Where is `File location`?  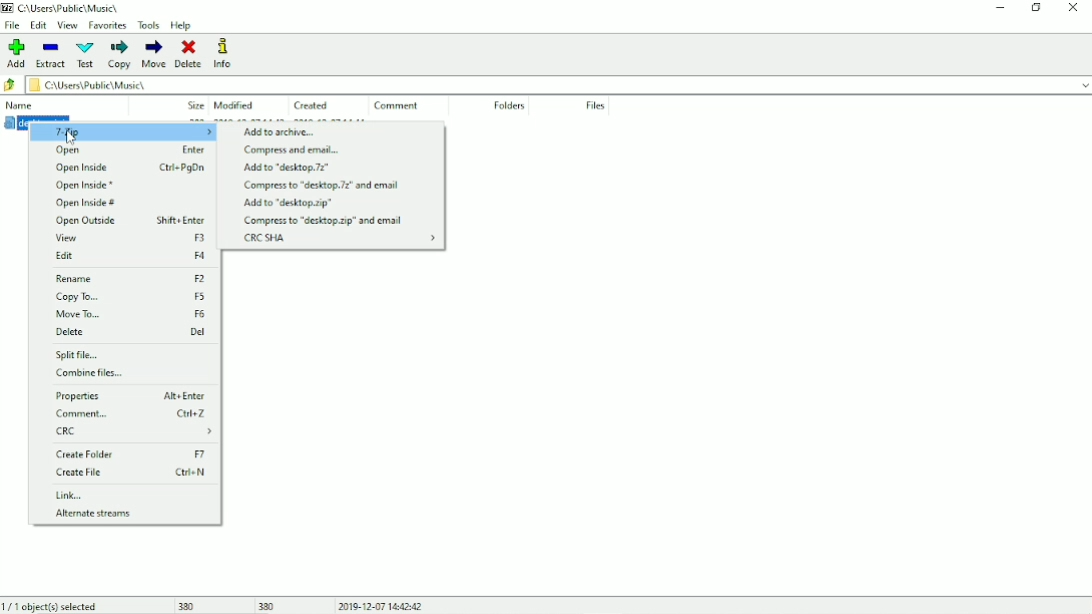 File location is located at coordinates (70, 8).